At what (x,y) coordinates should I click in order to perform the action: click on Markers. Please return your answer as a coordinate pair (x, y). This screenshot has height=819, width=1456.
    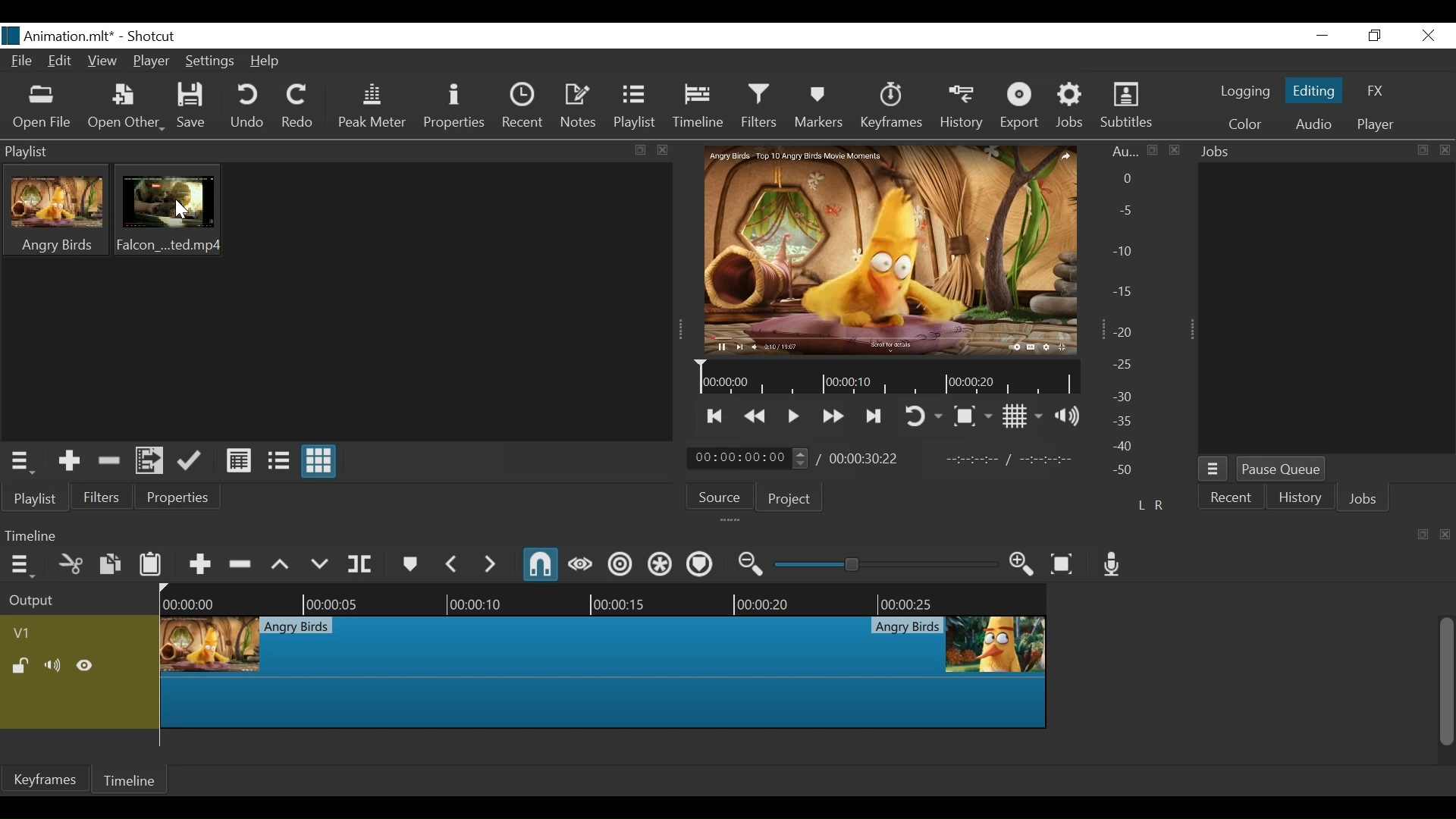
    Looking at the image, I should click on (820, 107).